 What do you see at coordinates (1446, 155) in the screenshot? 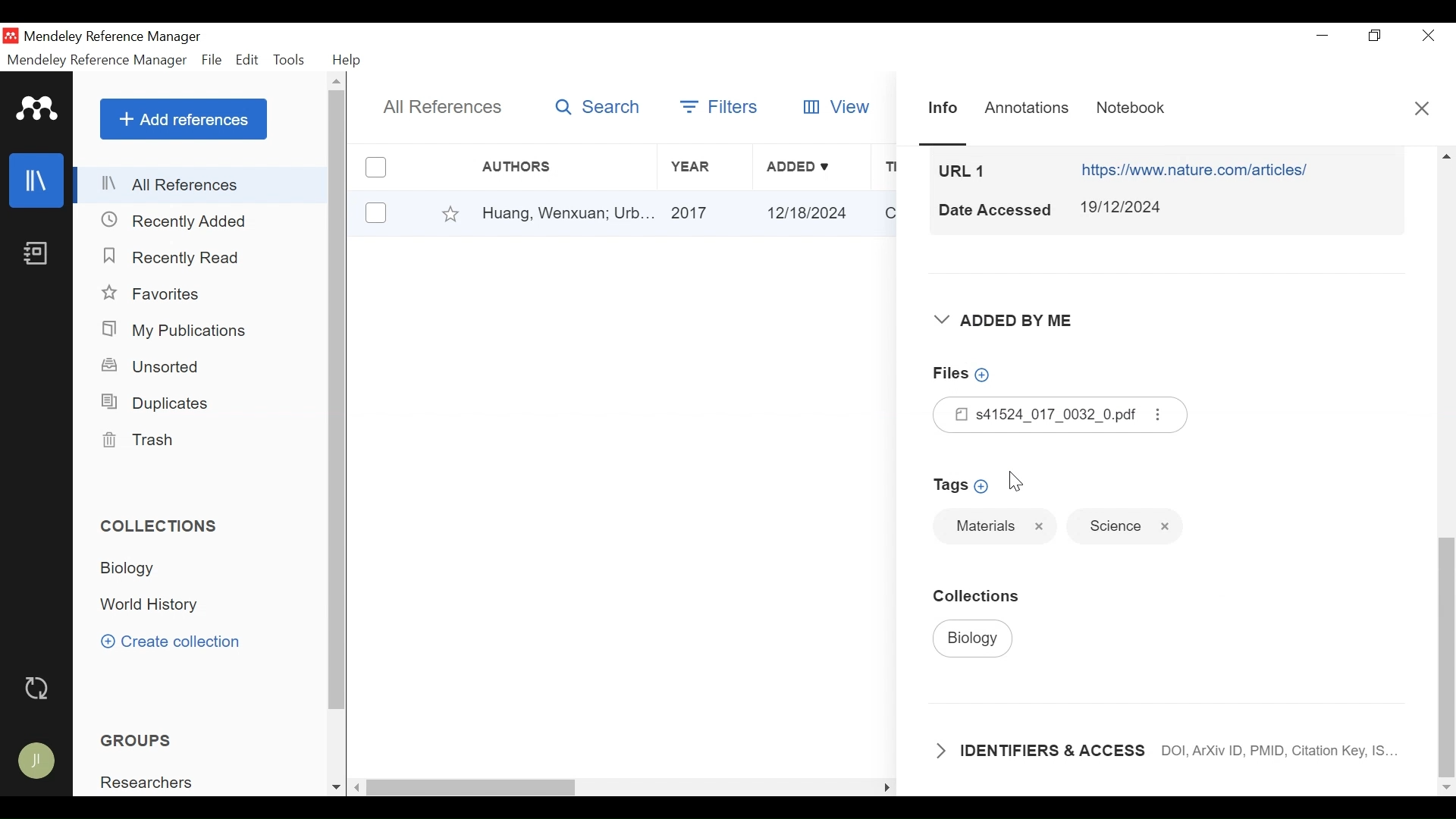
I see `Scroll up` at bounding box center [1446, 155].